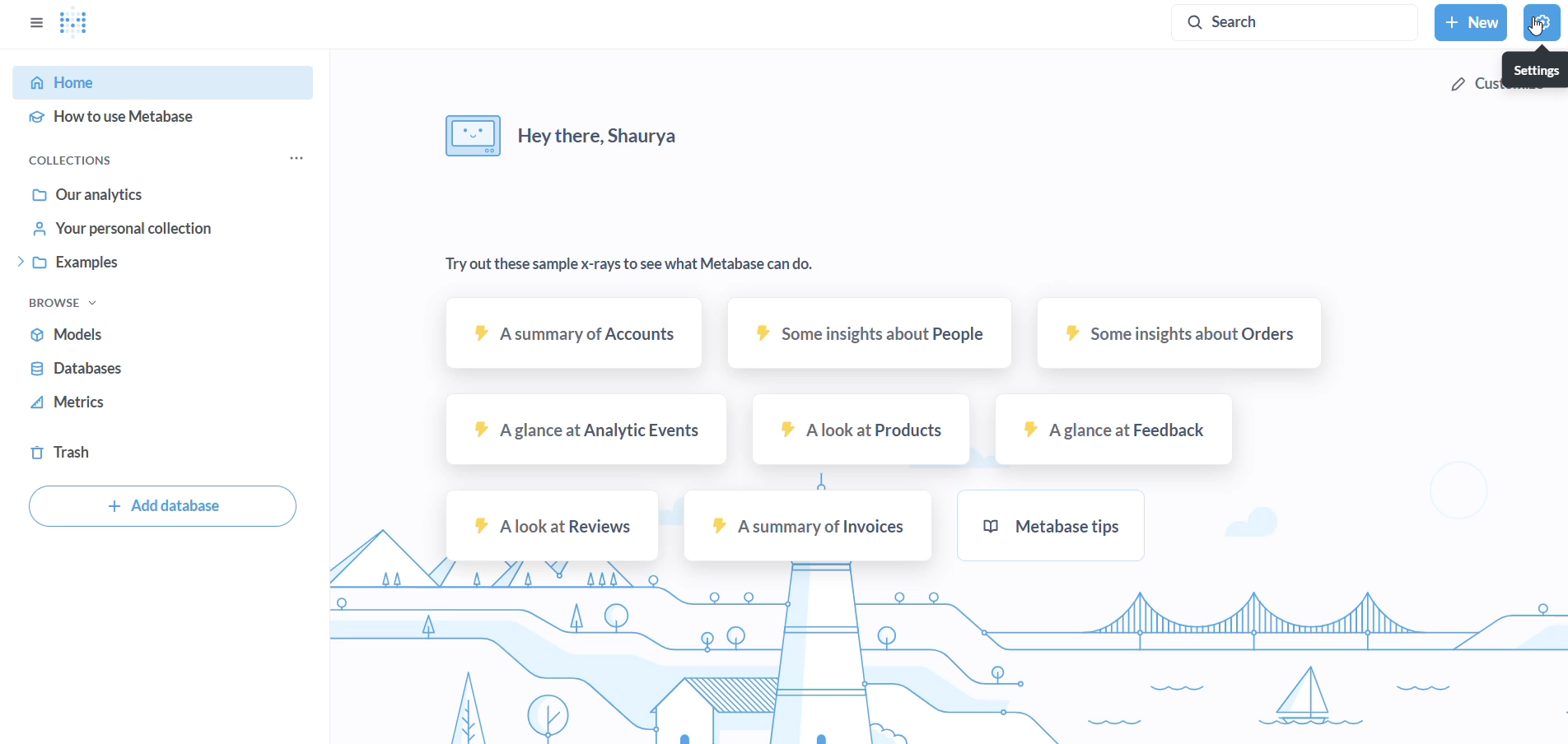 The height and width of the screenshot is (744, 1568). Describe the element at coordinates (1534, 69) in the screenshot. I see `Settings` at that location.